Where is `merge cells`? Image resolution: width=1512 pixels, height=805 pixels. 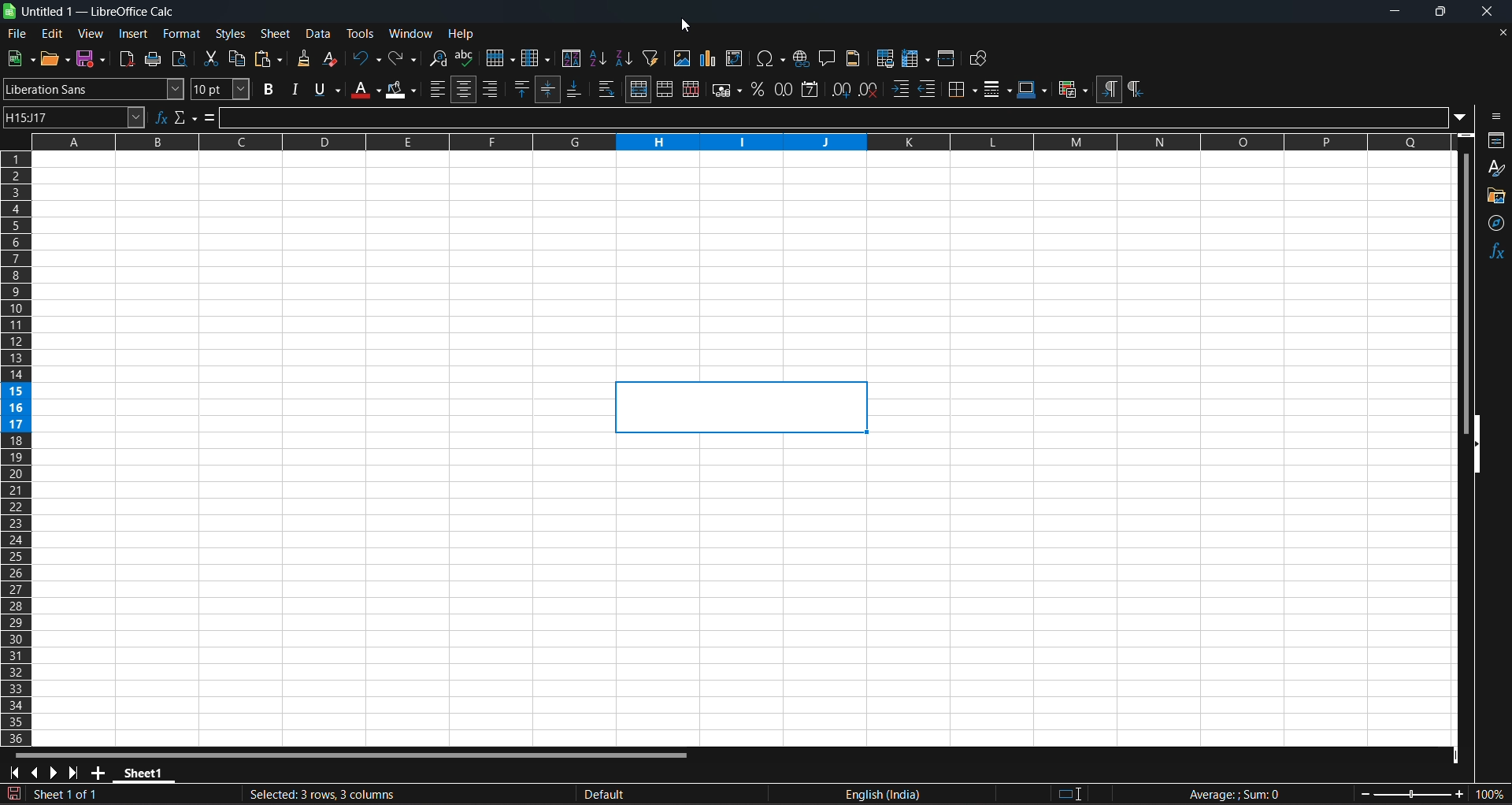
merge cells is located at coordinates (668, 91).